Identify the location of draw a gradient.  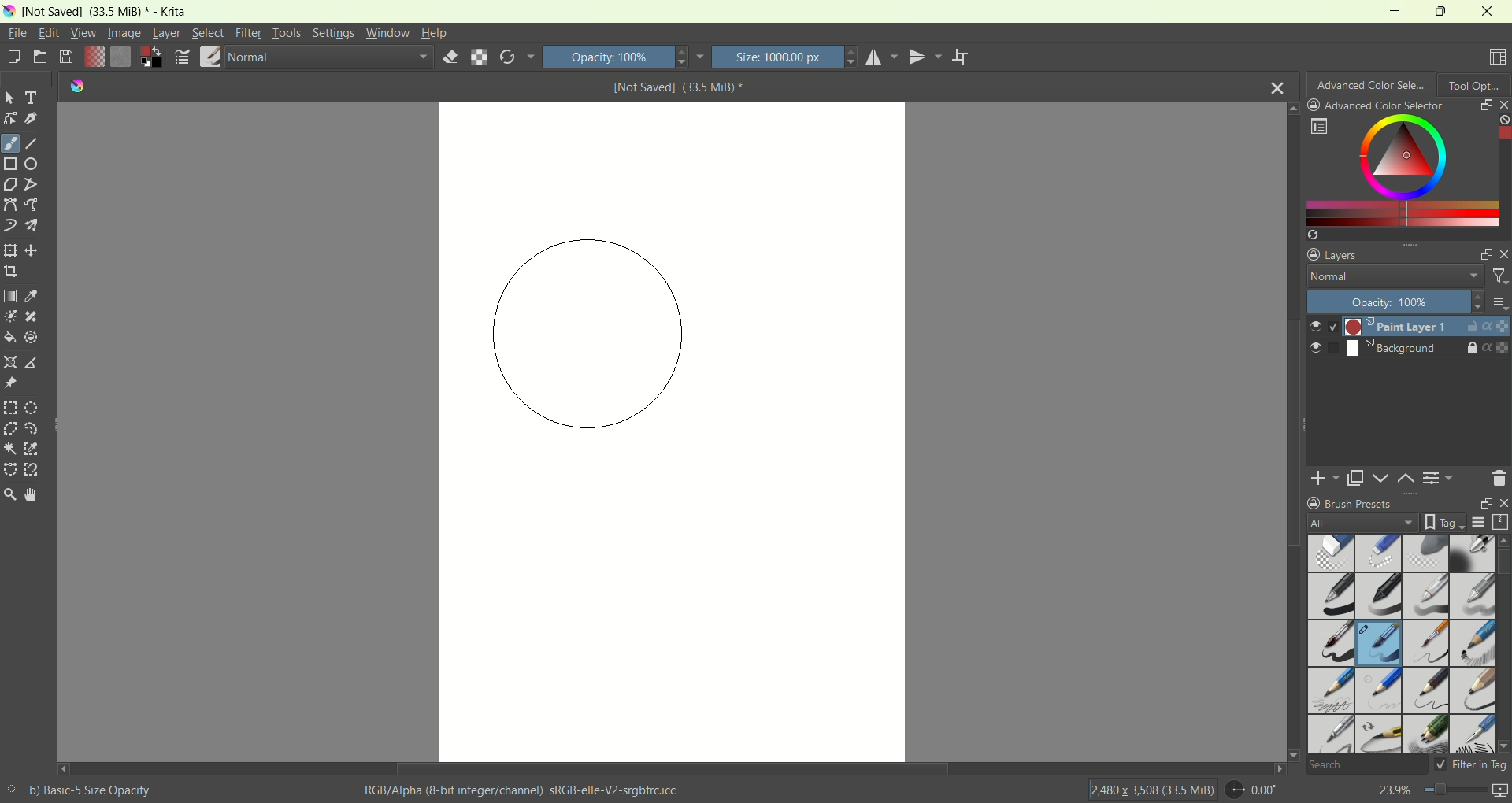
(10, 295).